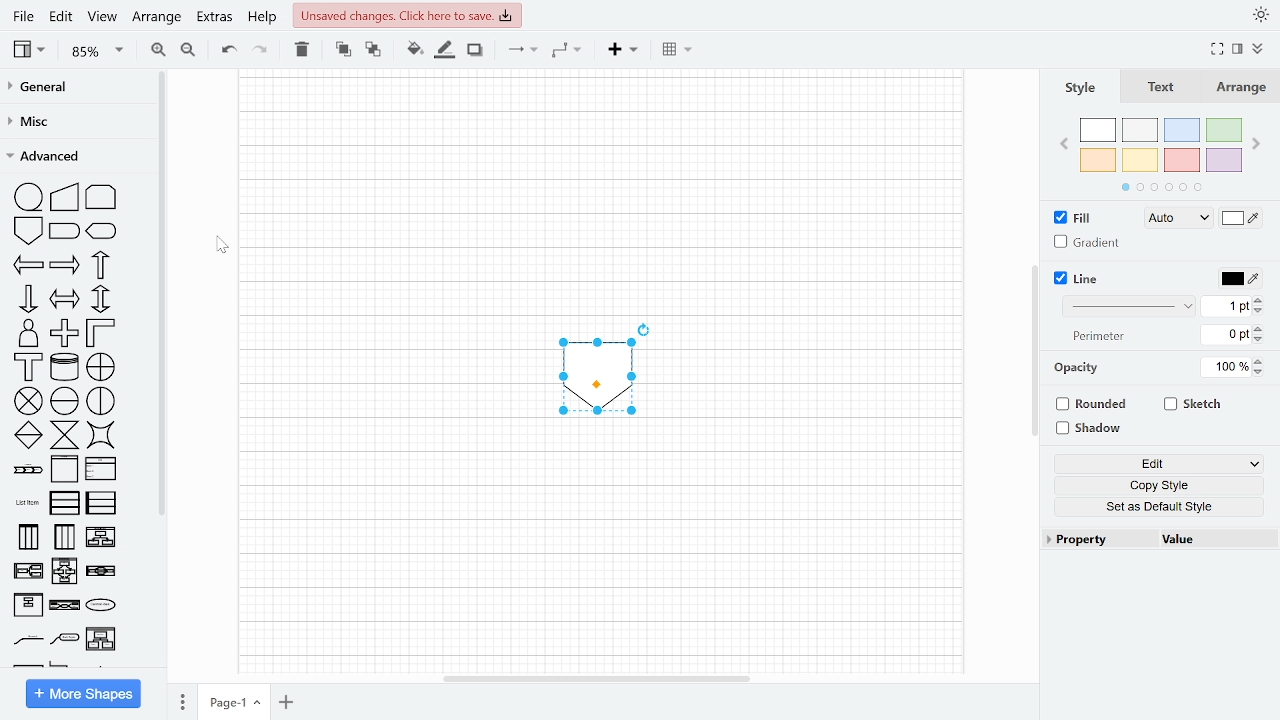  Describe the element at coordinates (101, 299) in the screenshot. I see `double arrow vertical` at that location.